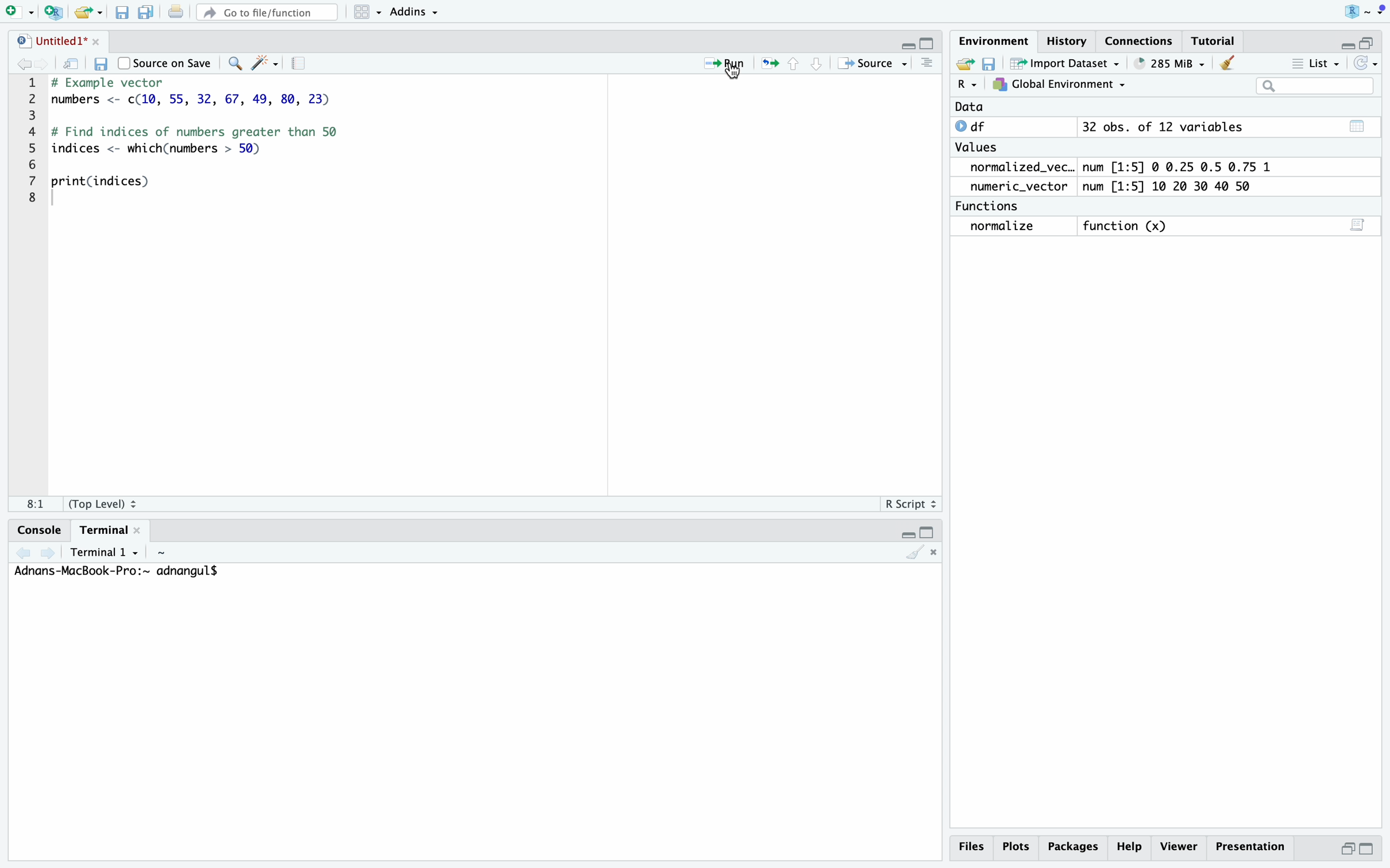 The height and width of the screenshot is (868, 1390). What do you see at coordinates (1017, 168) in the screenshot?
I see `normalized_vec..` at bounding box center [1017, 168].